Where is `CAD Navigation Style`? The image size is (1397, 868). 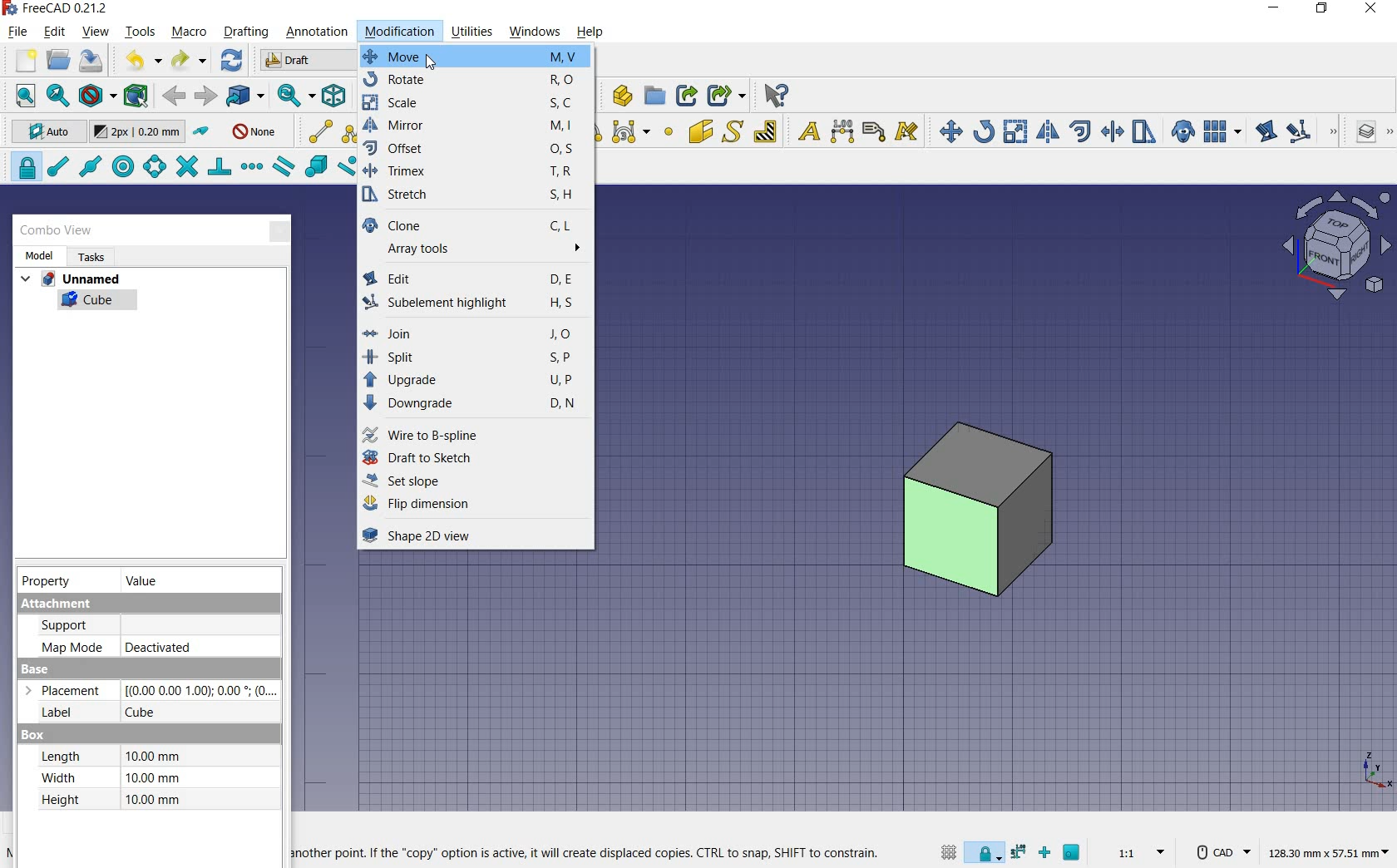 CAD Navigation Style is located at coordinates (1220, 851).